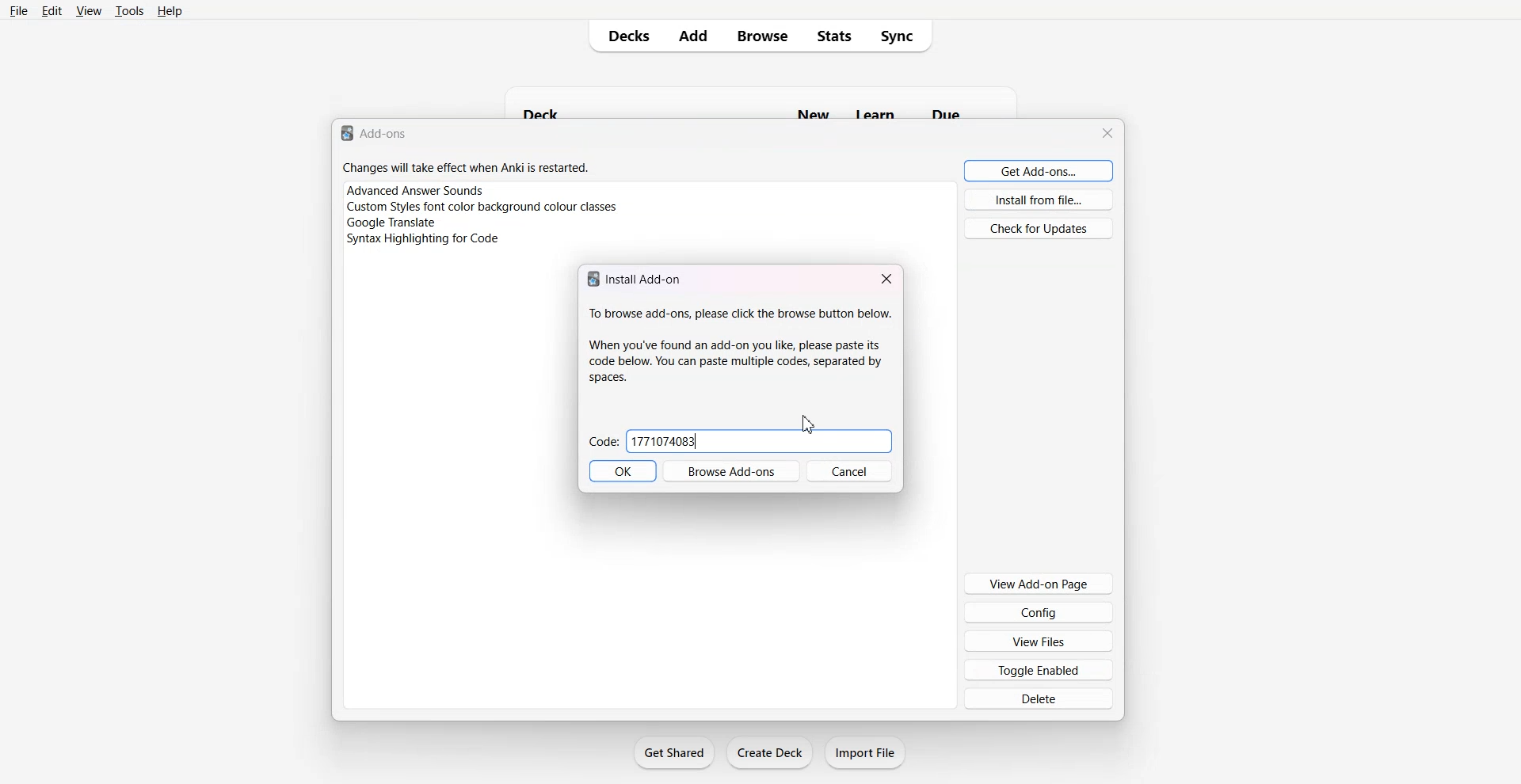 This screenshot has width=1521, height=784. I want to click on Get Add-ons, so click(1039, 170).